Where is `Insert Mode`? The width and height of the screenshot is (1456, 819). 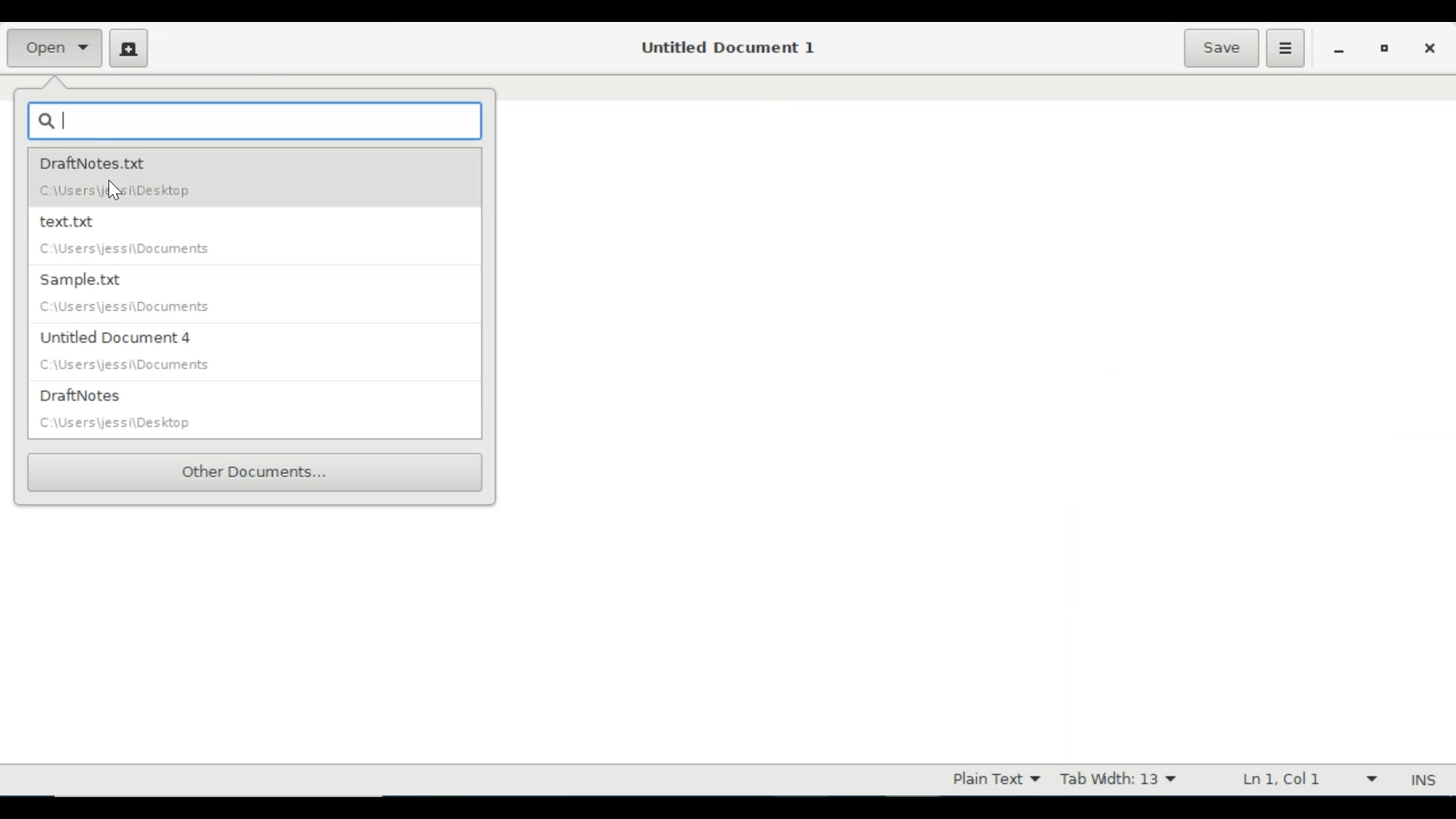 Insert Mode is located at coordinates (1426, 780).